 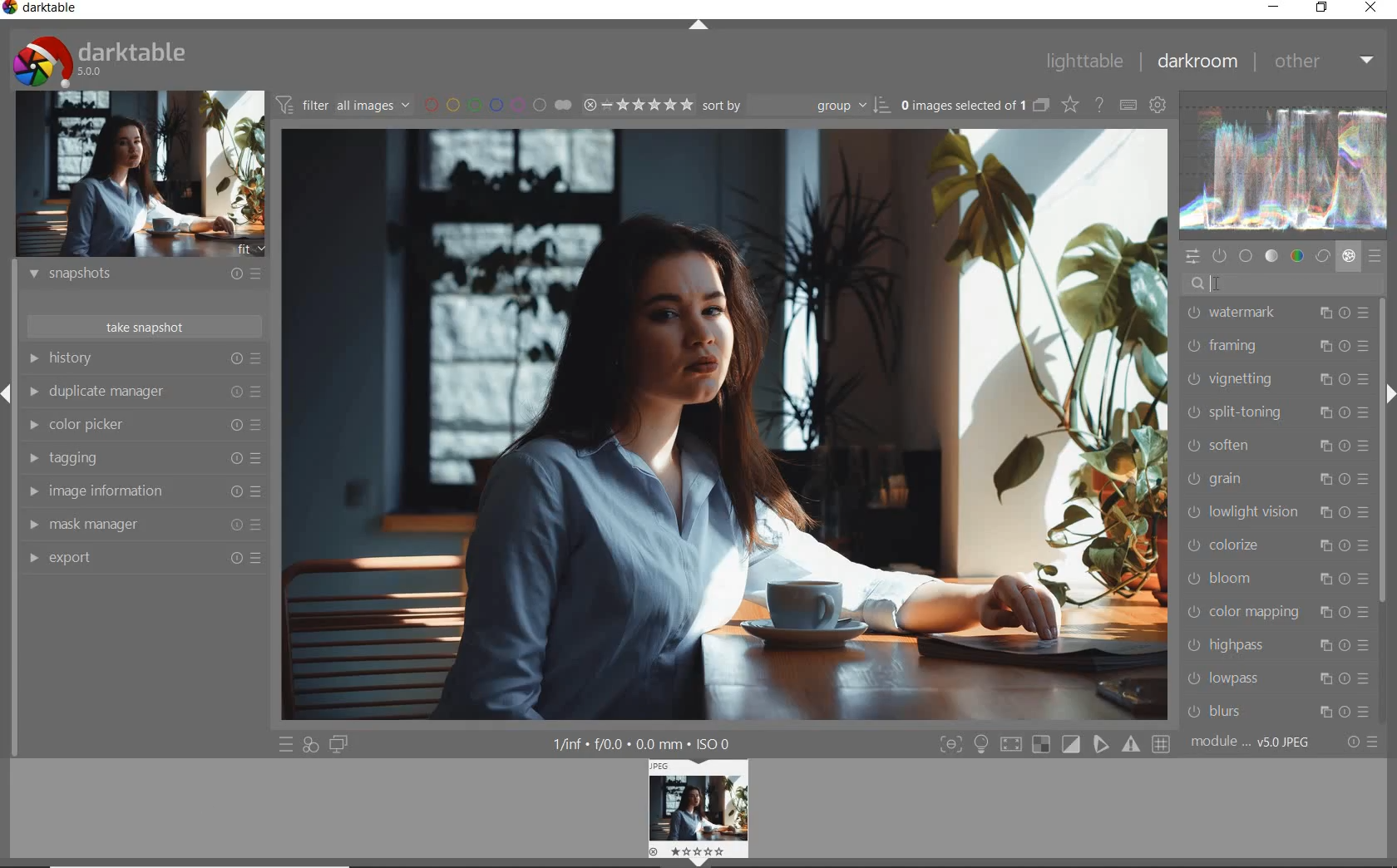 What do you see at coordinates (146, 425) in the screenshot?
I see `color picker` at bounding box center [146, 425].